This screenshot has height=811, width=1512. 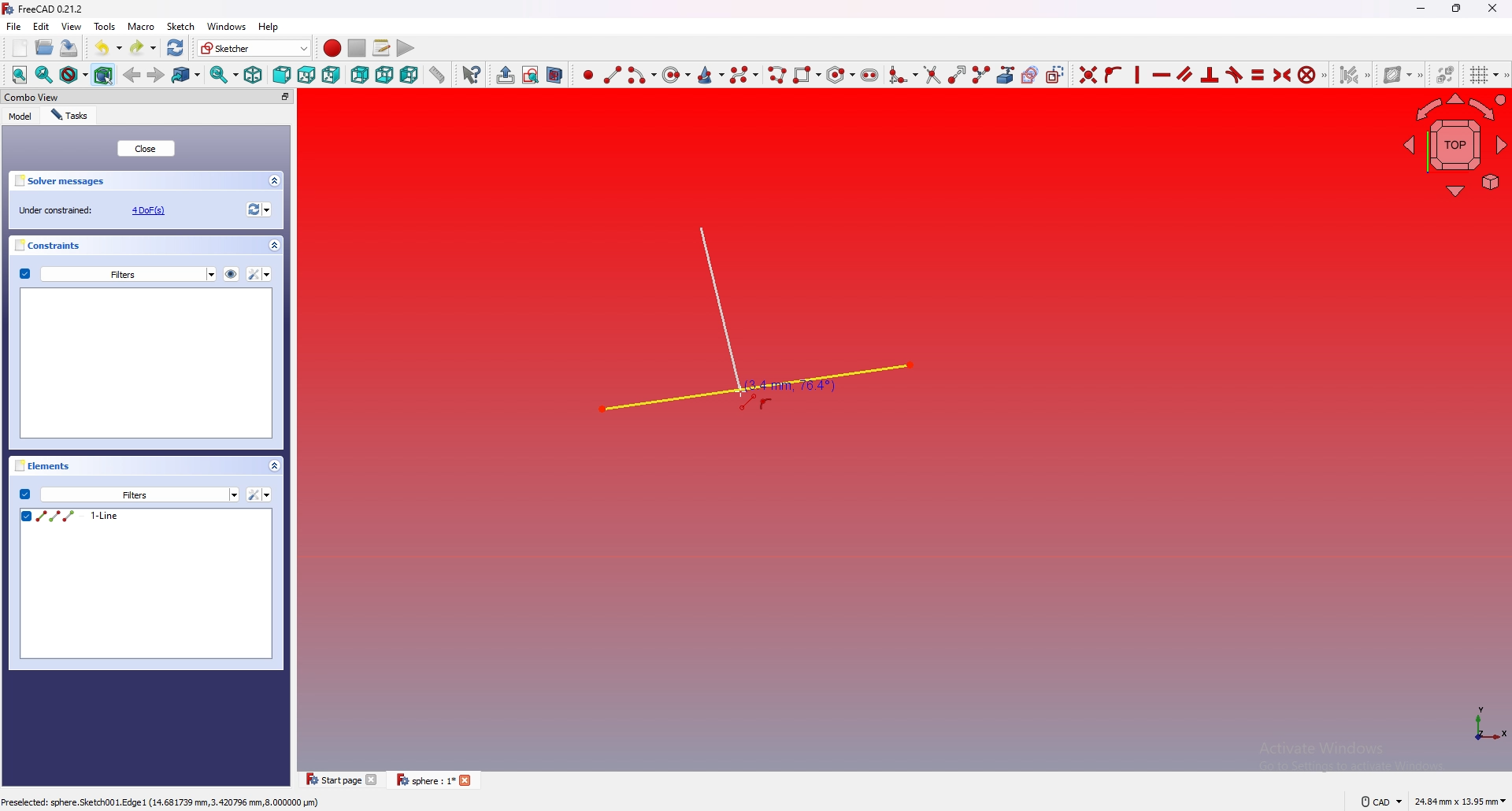 I want to click on Left, so click(x=409, y=75).